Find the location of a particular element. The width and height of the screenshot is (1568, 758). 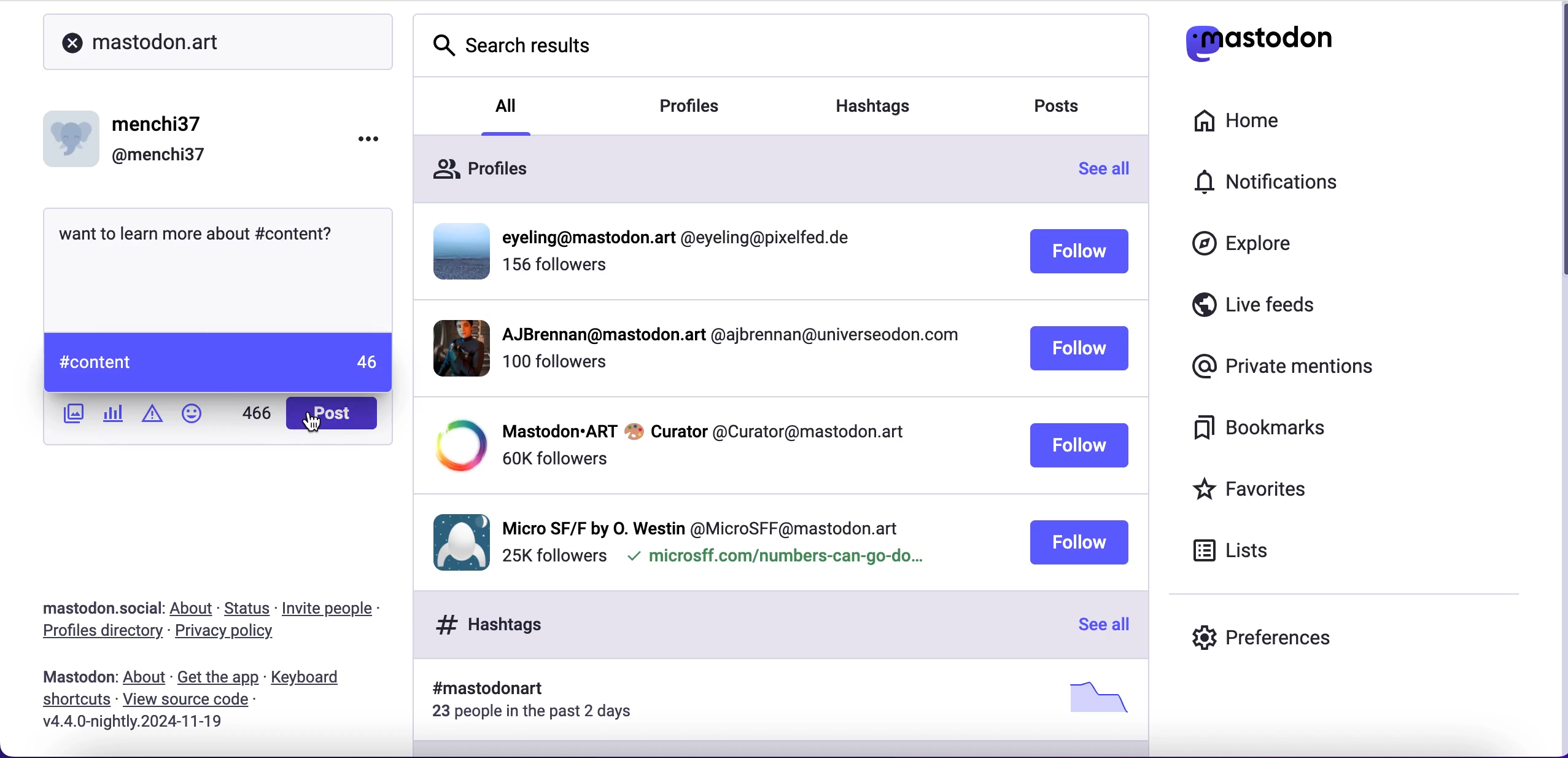

post is located at coordinates (334, 412).